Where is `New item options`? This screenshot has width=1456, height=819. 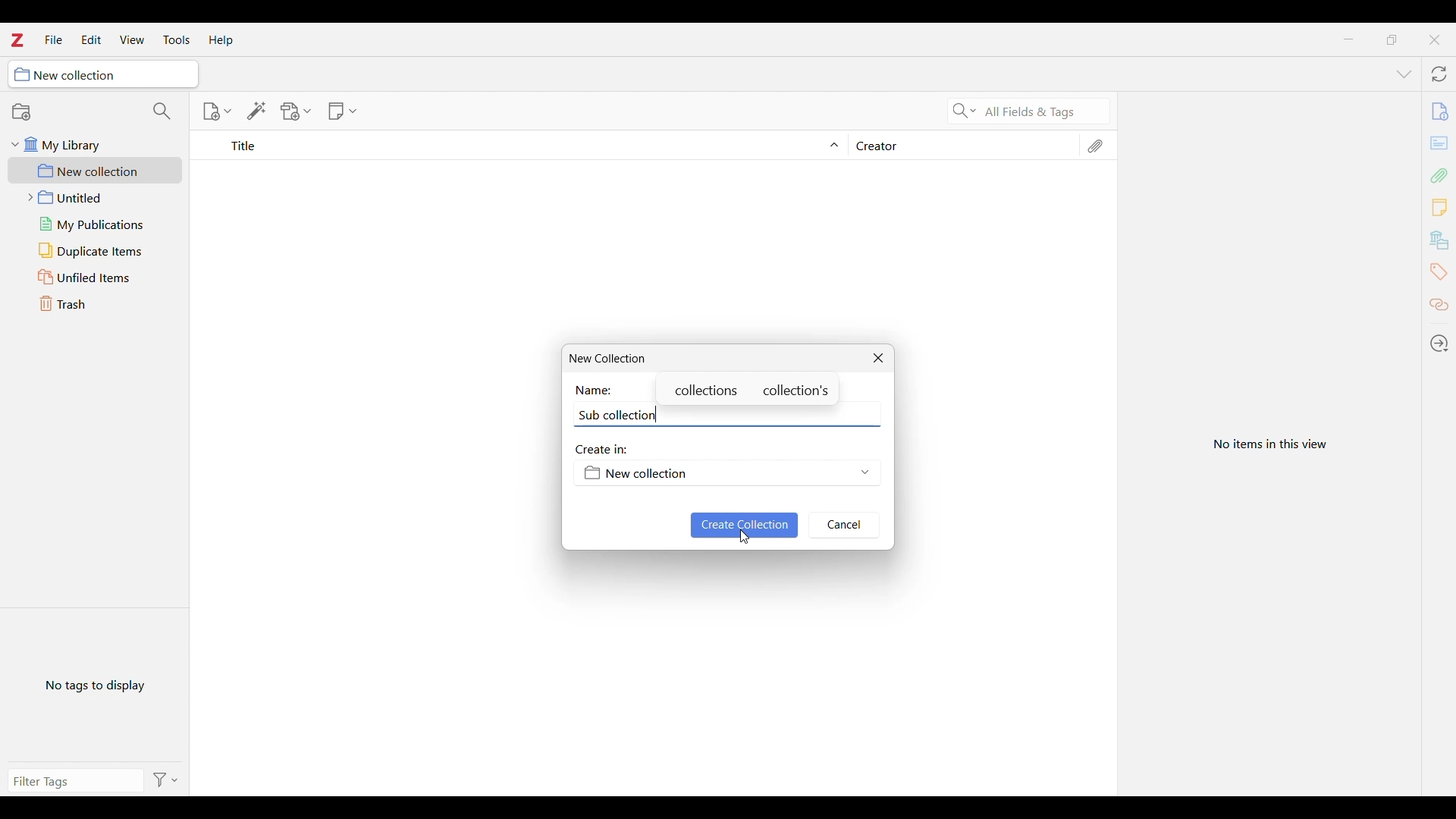
New item options is located at coordinates (216, 111).